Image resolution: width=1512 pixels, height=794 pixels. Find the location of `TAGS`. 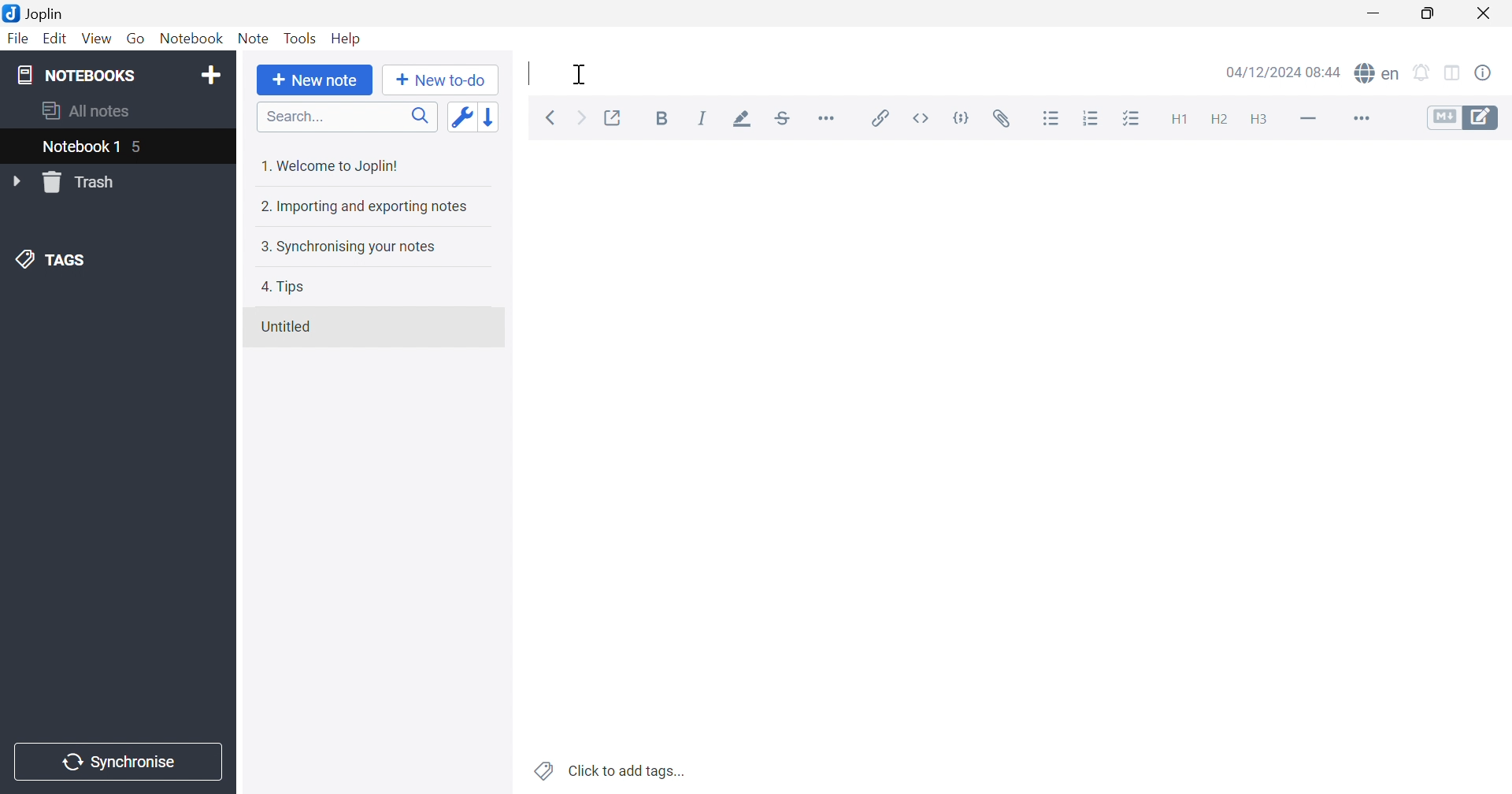

TAGS is located at coordinates (56, 261).